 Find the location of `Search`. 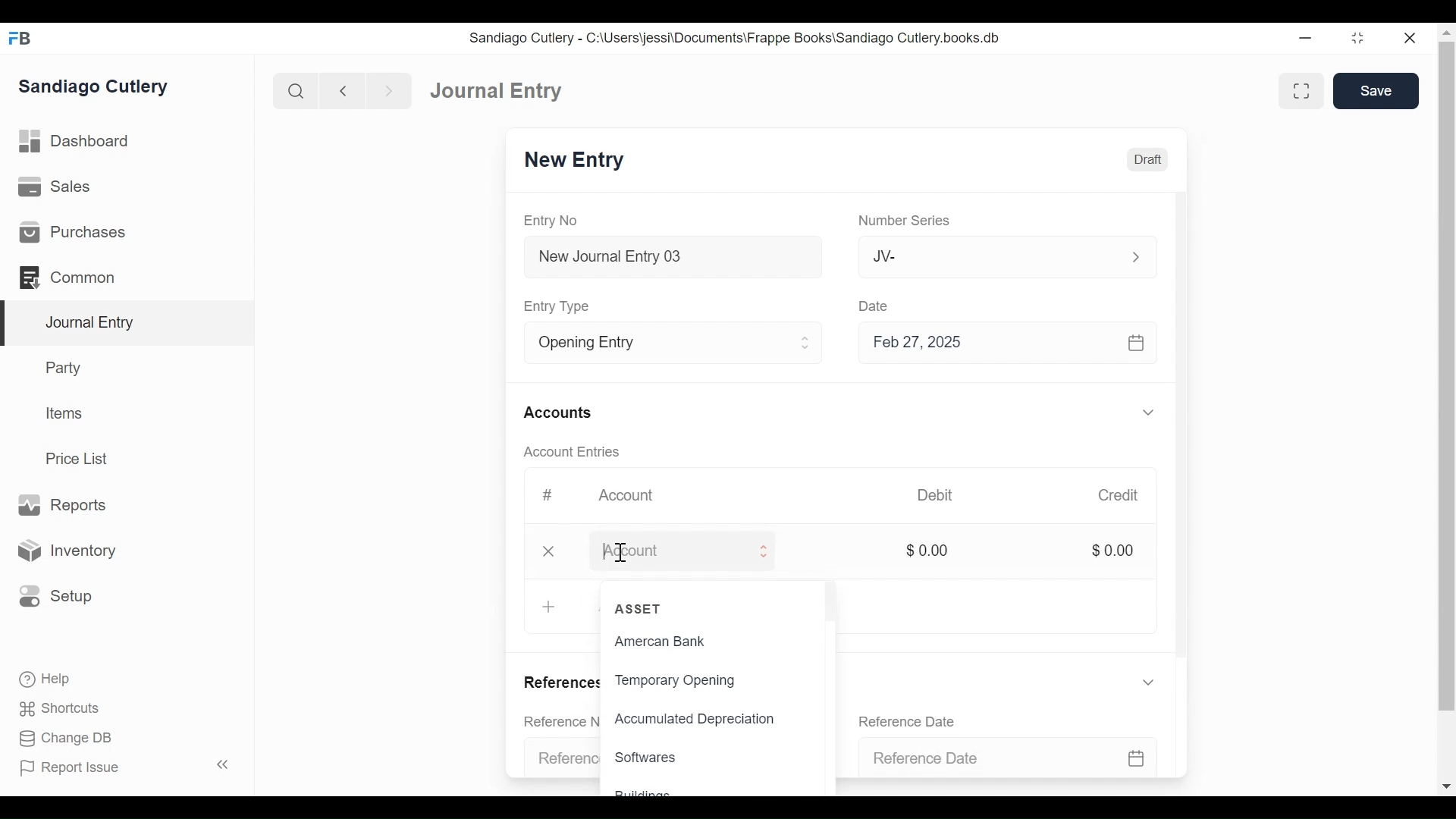

Search is located at coordinates (294, 90).